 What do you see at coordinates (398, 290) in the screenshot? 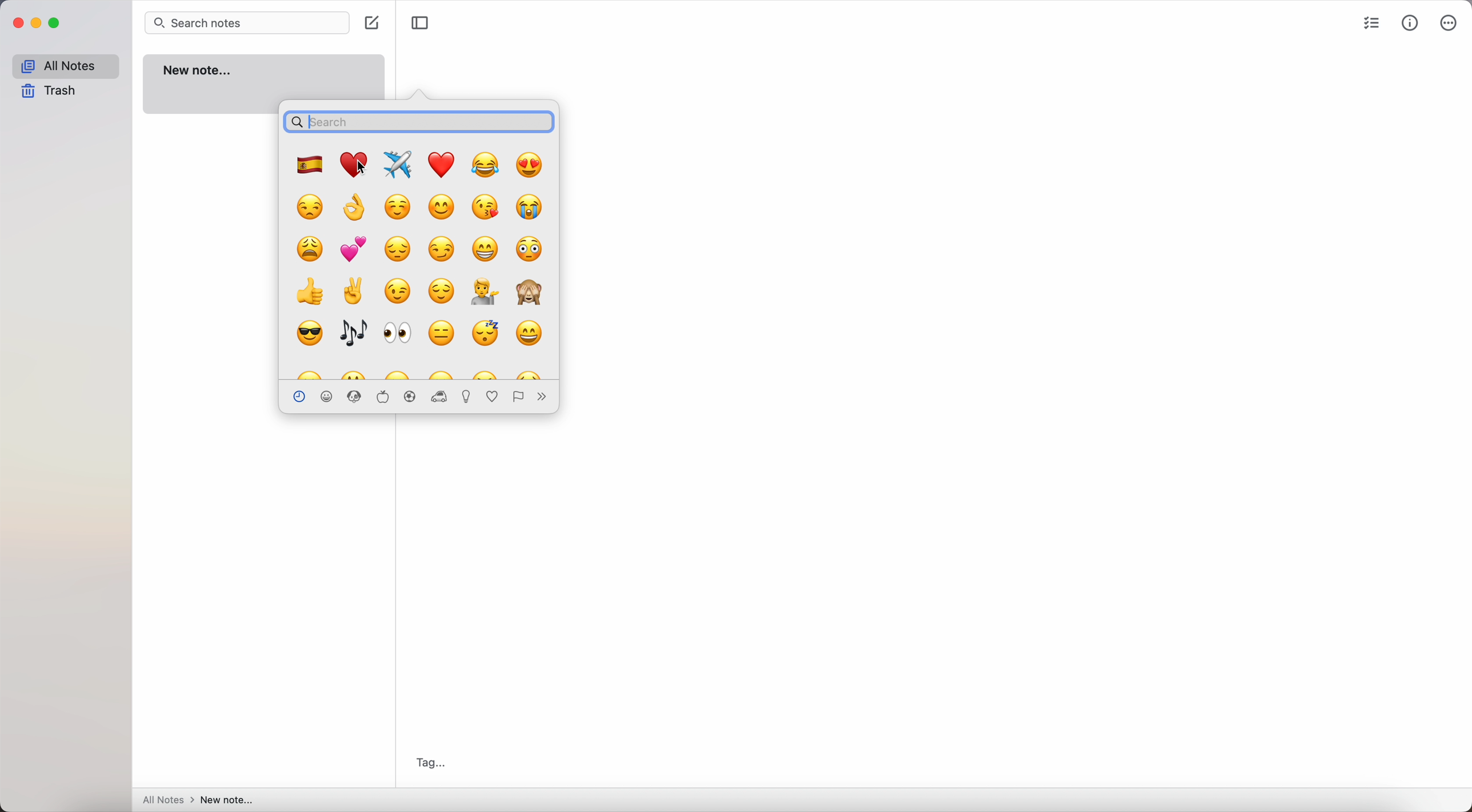
I see `emoji` at bounding box center [398, 290].